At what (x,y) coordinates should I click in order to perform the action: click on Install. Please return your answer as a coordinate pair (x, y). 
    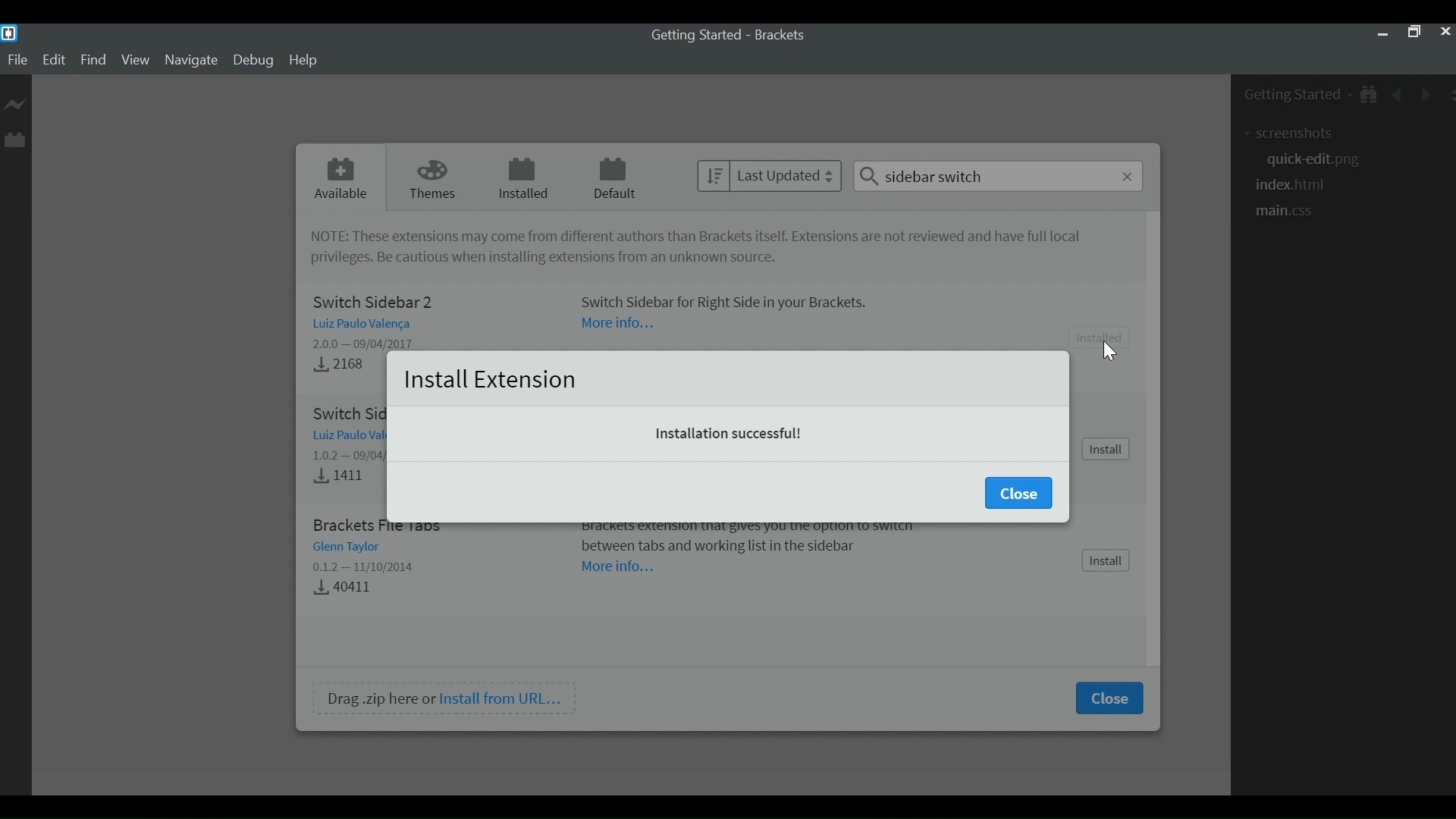
    Looking at the image, I should click on (1106, 450).